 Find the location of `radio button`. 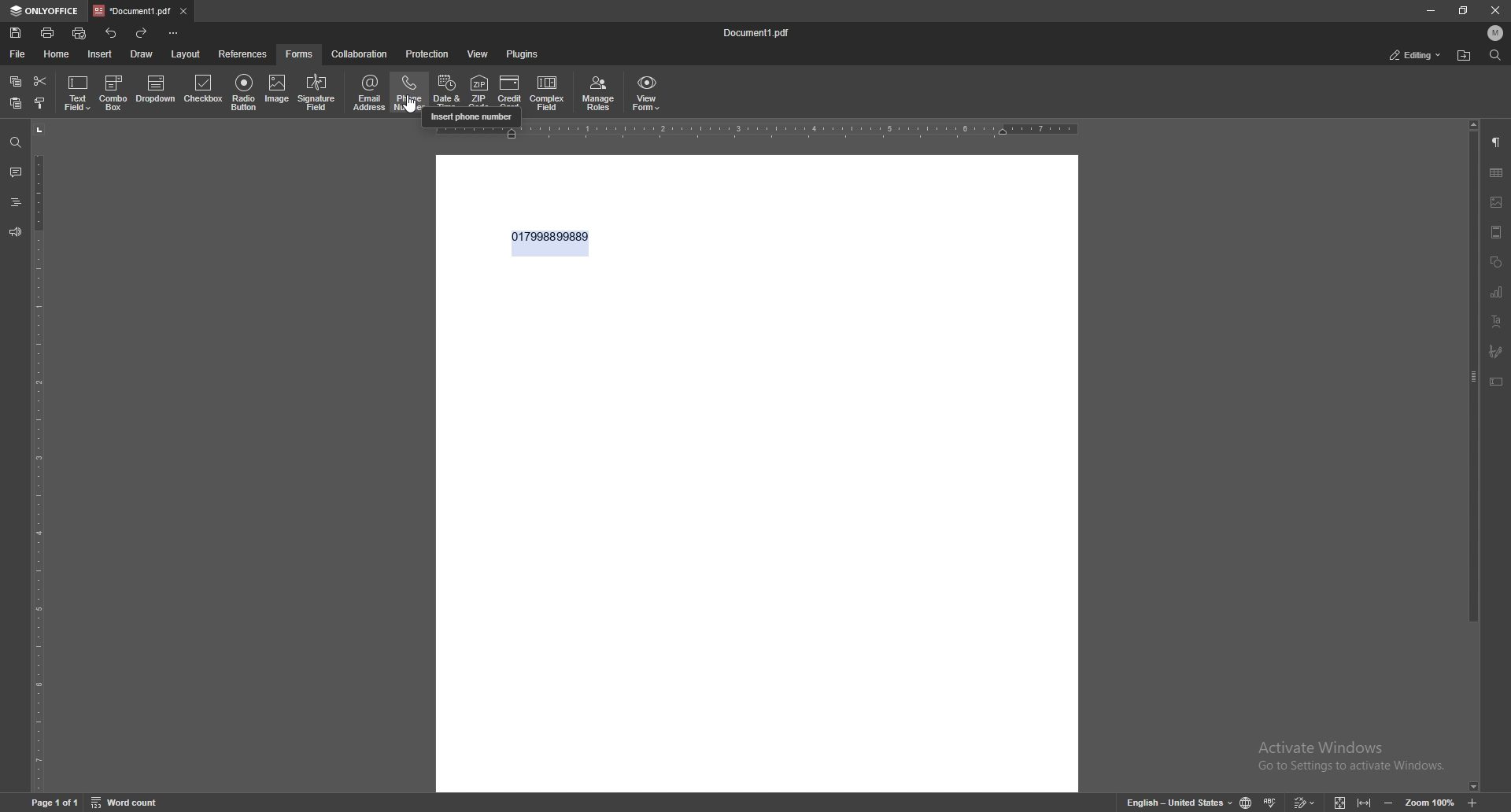

radio button is located at coordinates (243, 93).